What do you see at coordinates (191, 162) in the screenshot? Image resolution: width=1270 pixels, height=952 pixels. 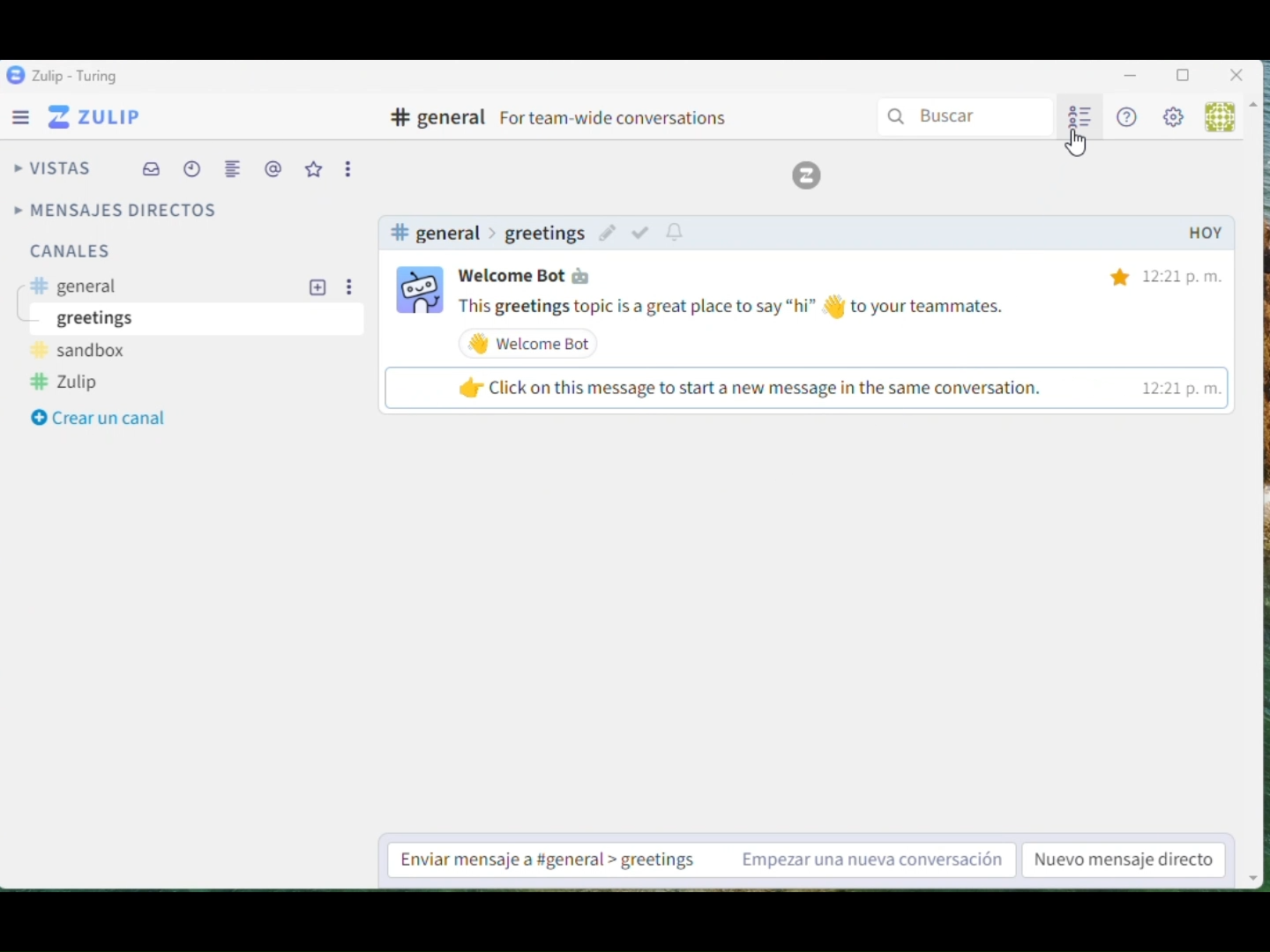 I see `Schedule` at bounding box center [191, 162].